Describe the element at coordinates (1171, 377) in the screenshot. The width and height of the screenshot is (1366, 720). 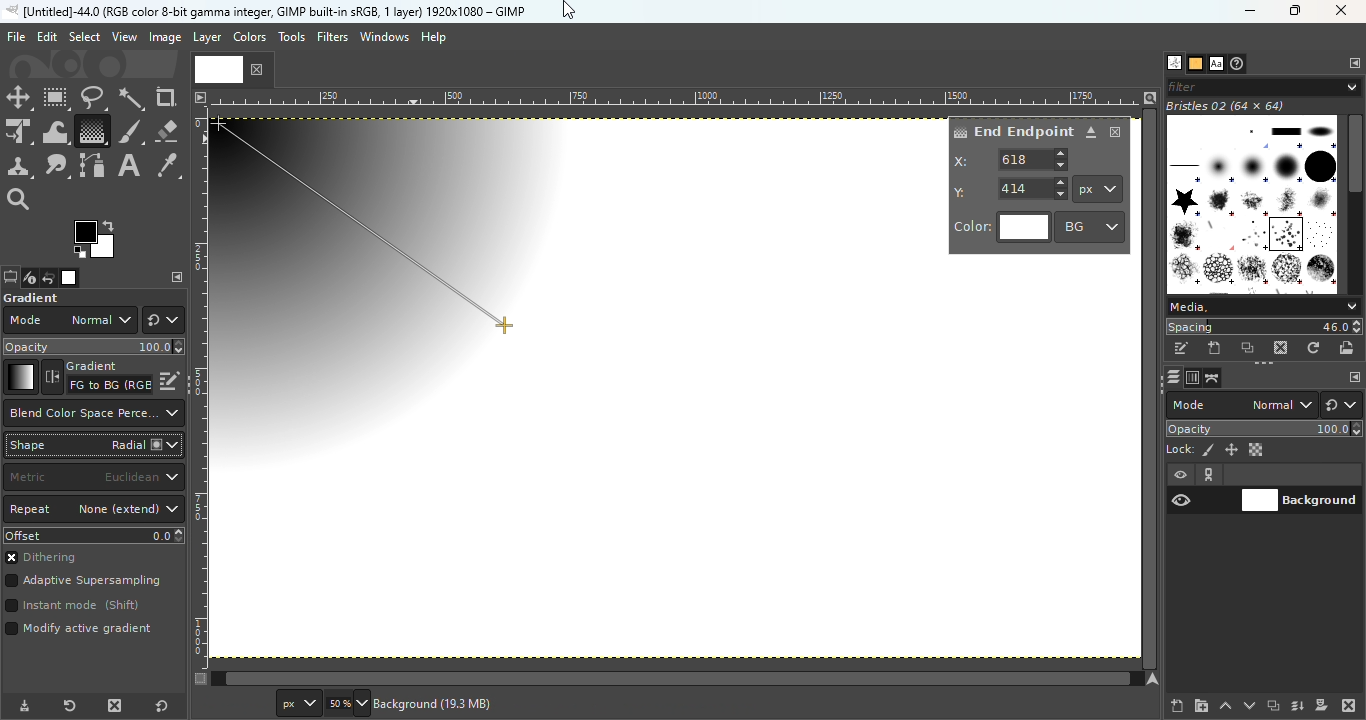
I see `Open the layers dialog` at that location.